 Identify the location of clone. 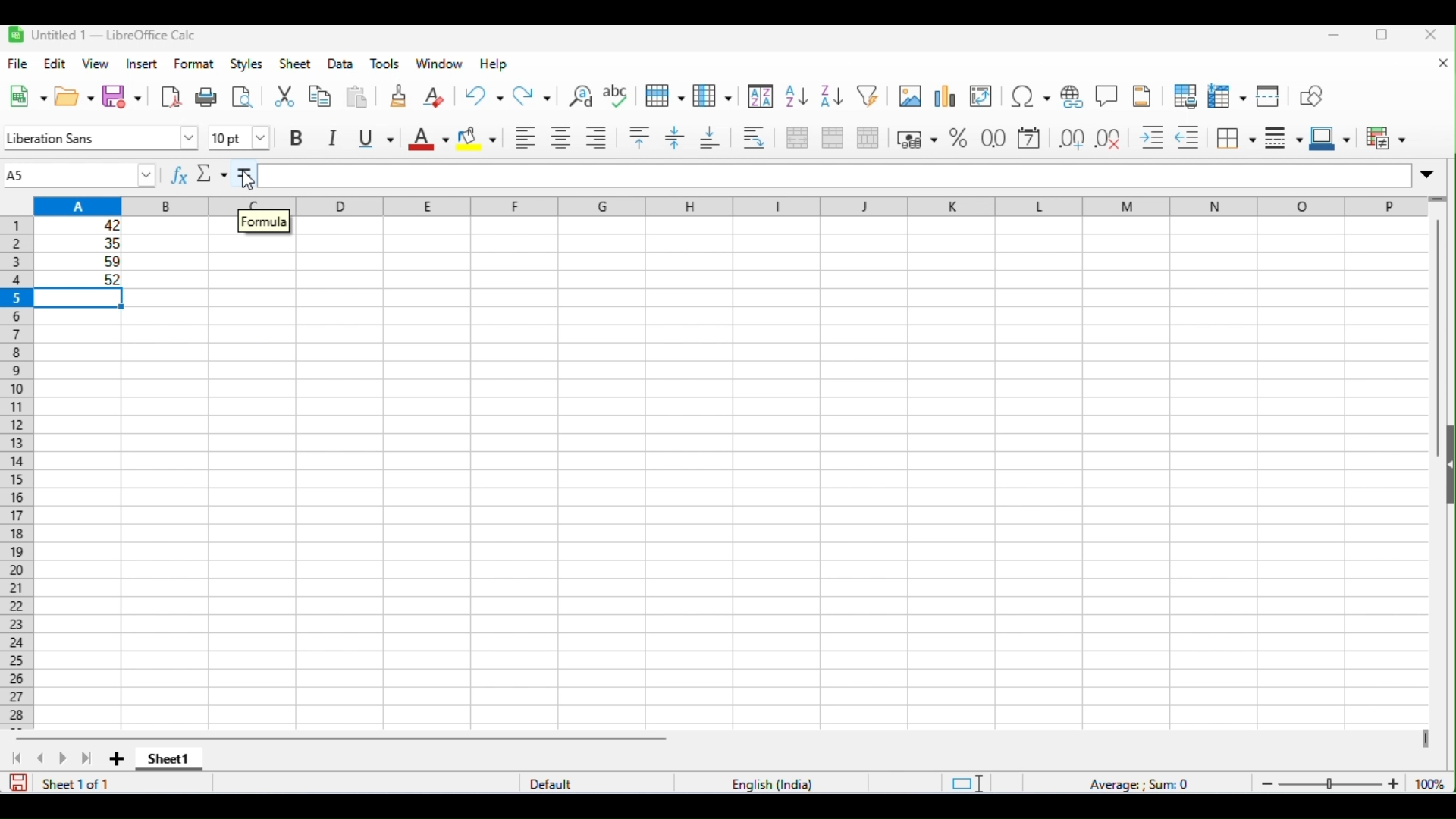
(399, 96).